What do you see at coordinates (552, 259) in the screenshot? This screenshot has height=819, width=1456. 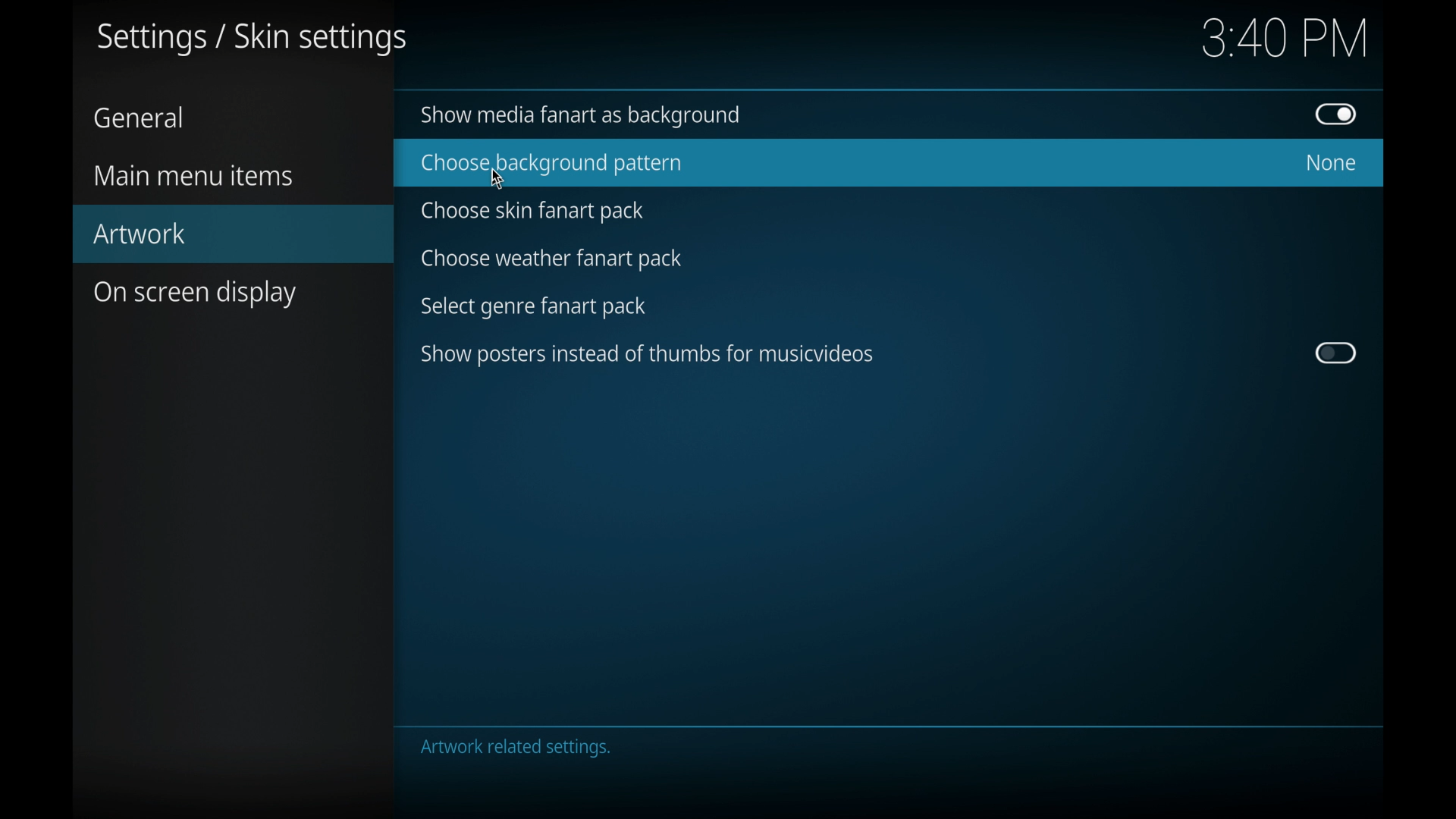 I see `choose weather fan art pack` at bounding box center [552, 259].